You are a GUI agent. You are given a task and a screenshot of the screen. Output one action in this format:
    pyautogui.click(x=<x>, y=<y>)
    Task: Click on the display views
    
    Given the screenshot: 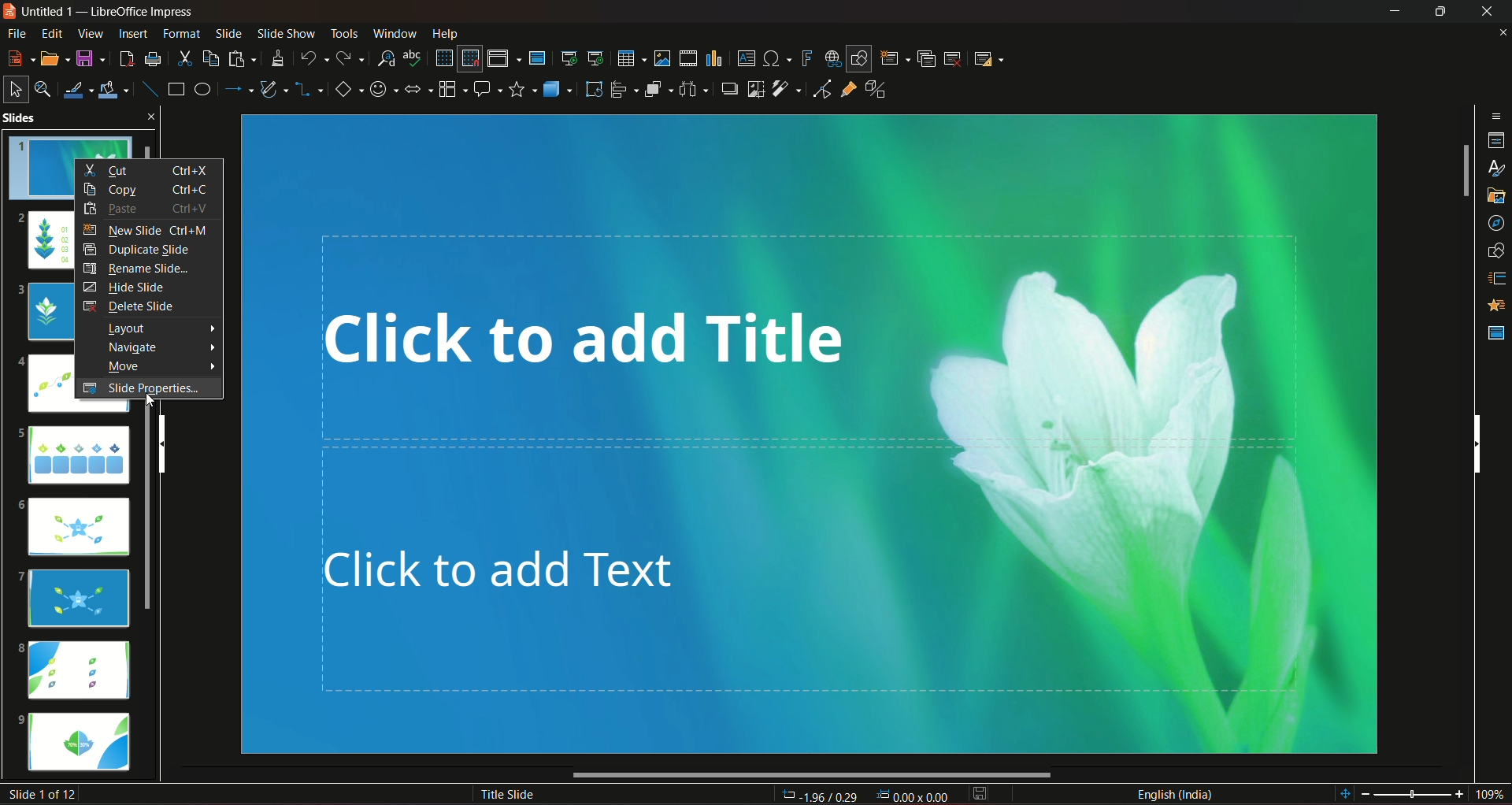 What is the action you would take?
    pyautogui.click(x=503, y=58)
    